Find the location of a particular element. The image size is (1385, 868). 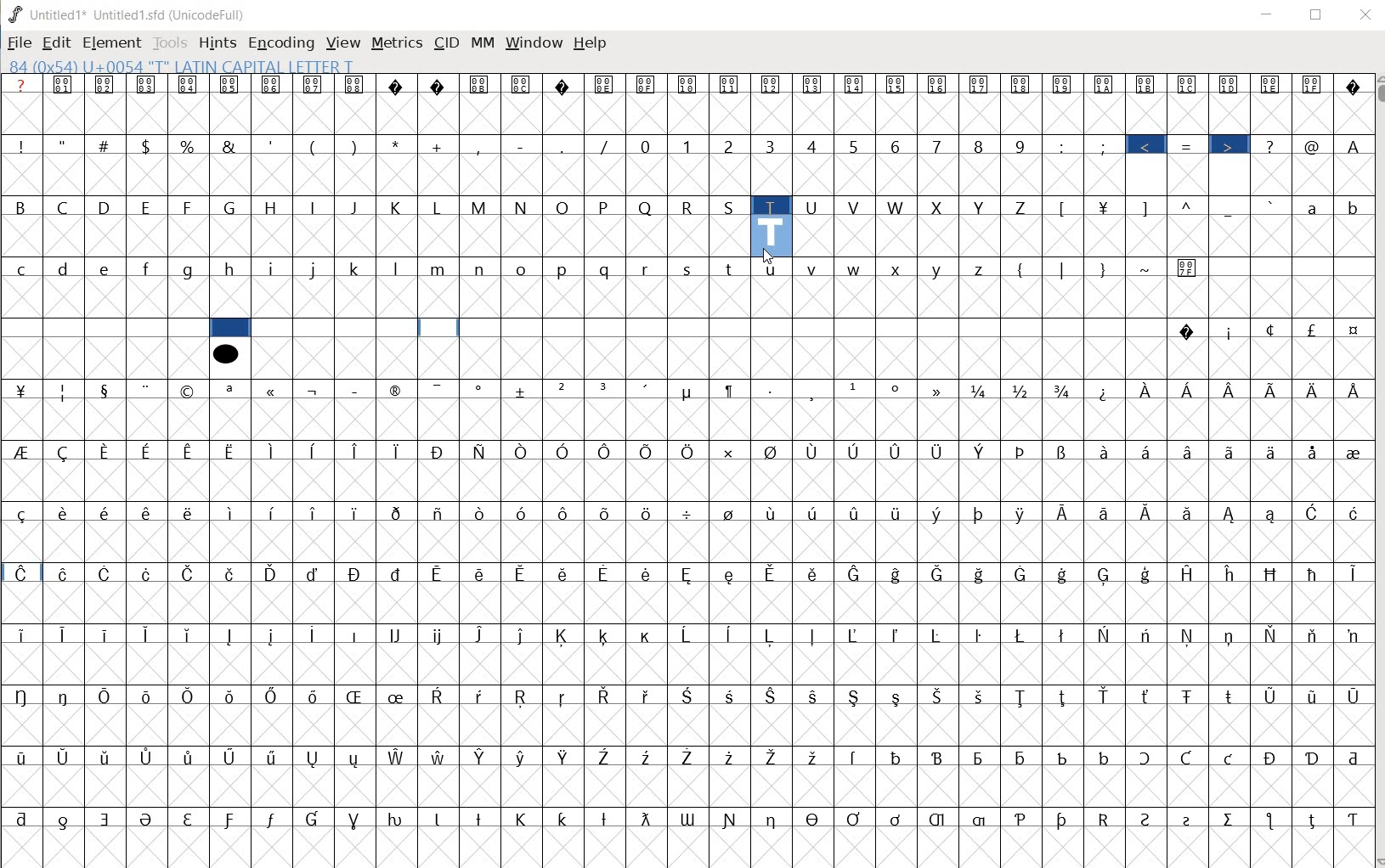

H is located at coordinates (273, 207).